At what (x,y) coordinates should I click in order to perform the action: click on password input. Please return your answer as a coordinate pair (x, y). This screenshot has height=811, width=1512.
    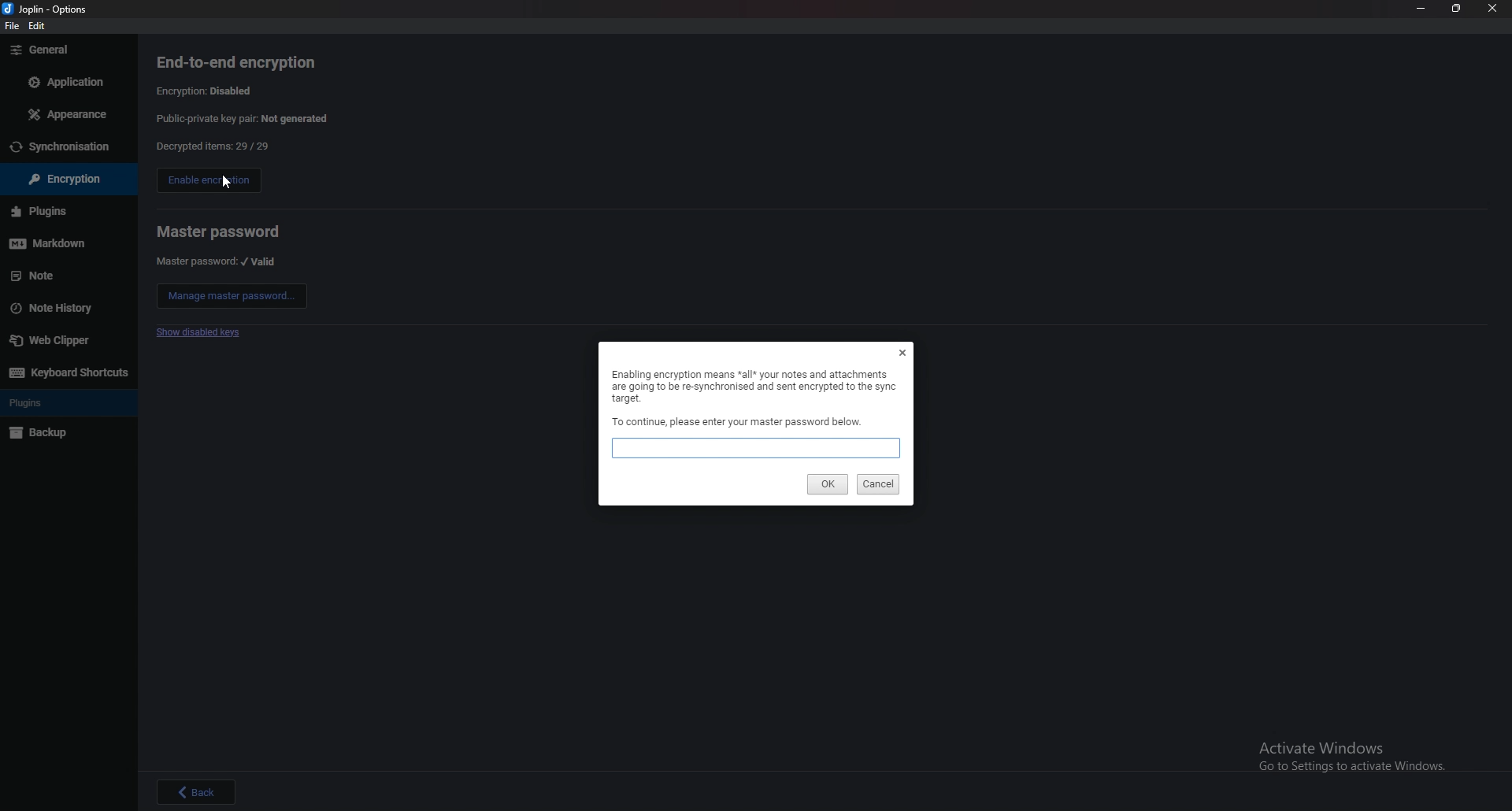
    Looking at the image, I should click on (756, 447).